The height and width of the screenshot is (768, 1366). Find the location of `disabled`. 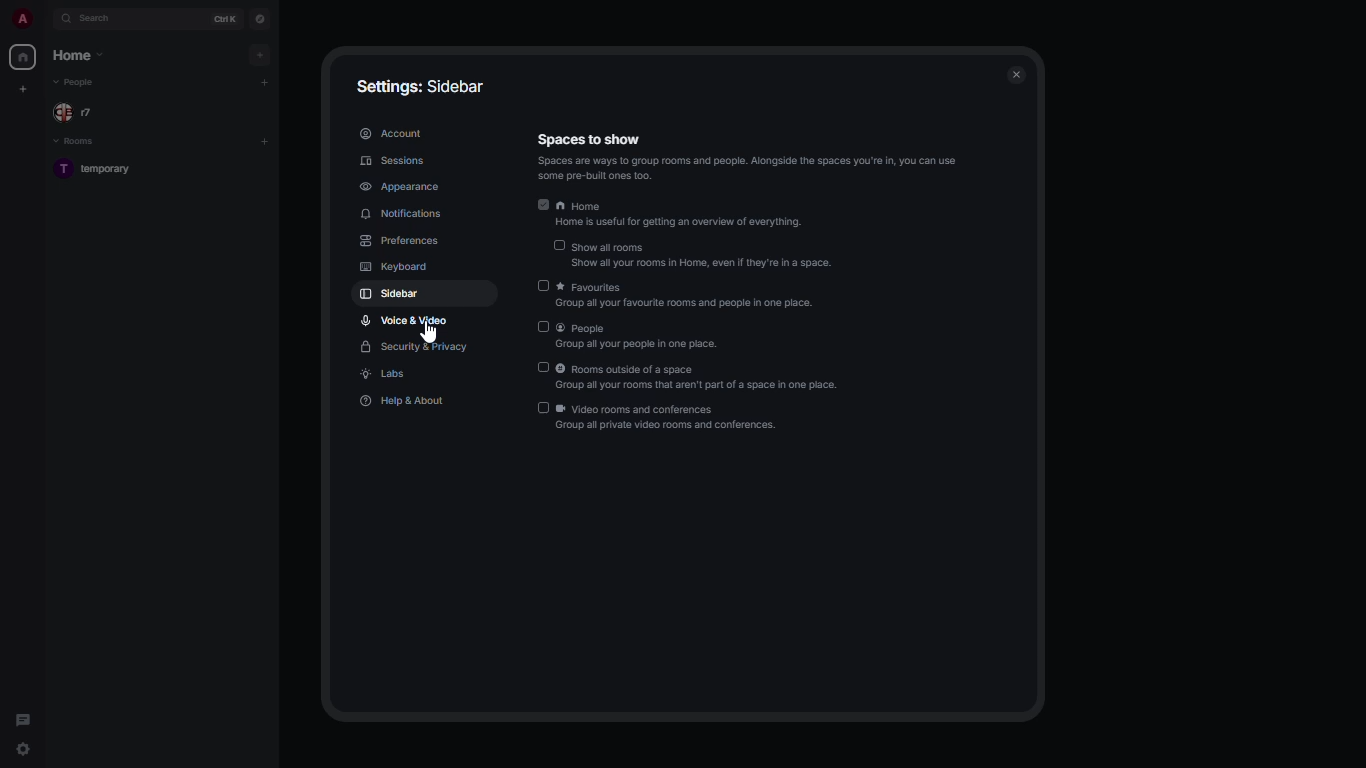

disabled is located at coordinates (559, 246).